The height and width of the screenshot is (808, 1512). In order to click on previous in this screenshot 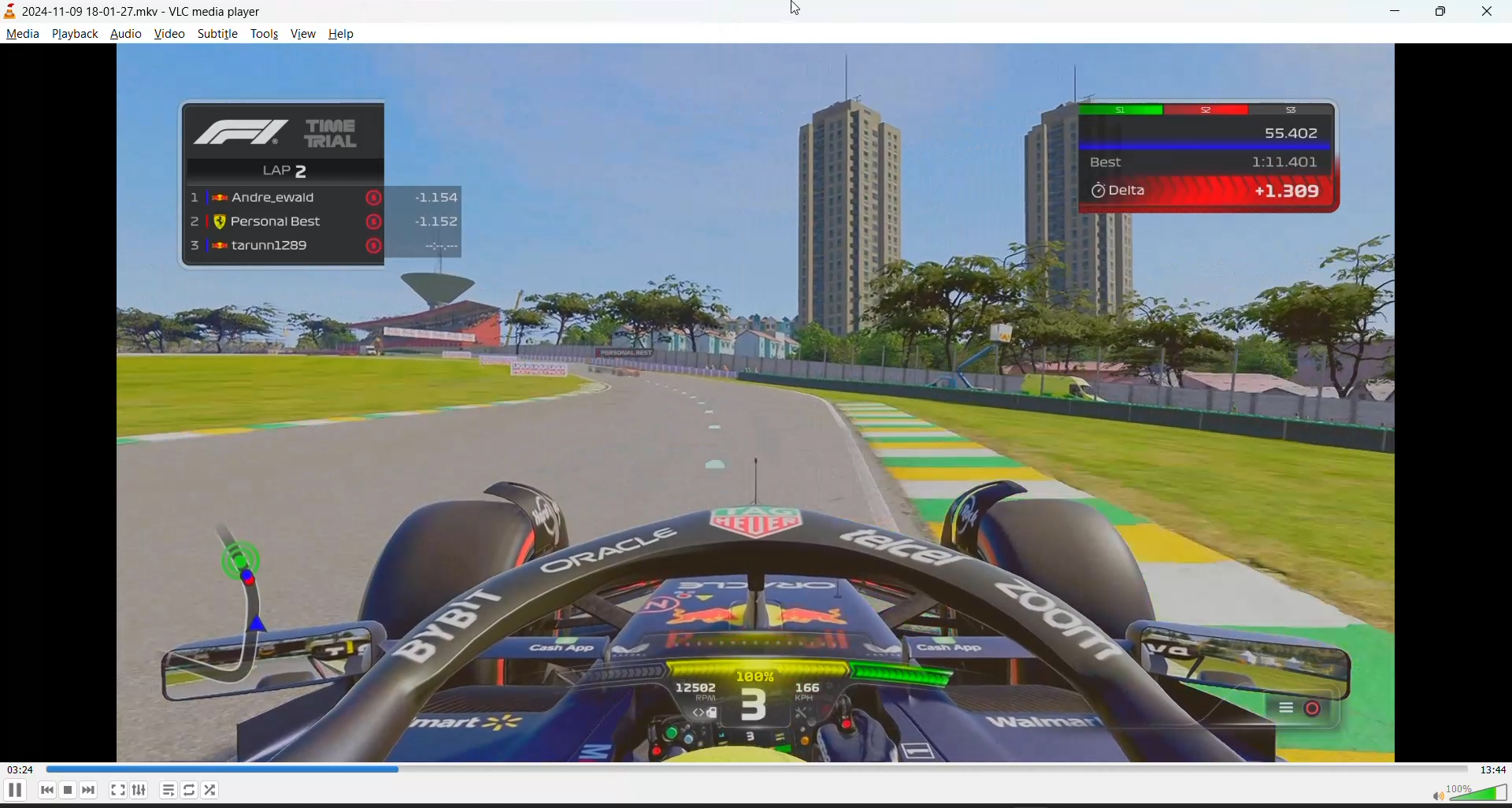, I will do `click(48, 790)`.